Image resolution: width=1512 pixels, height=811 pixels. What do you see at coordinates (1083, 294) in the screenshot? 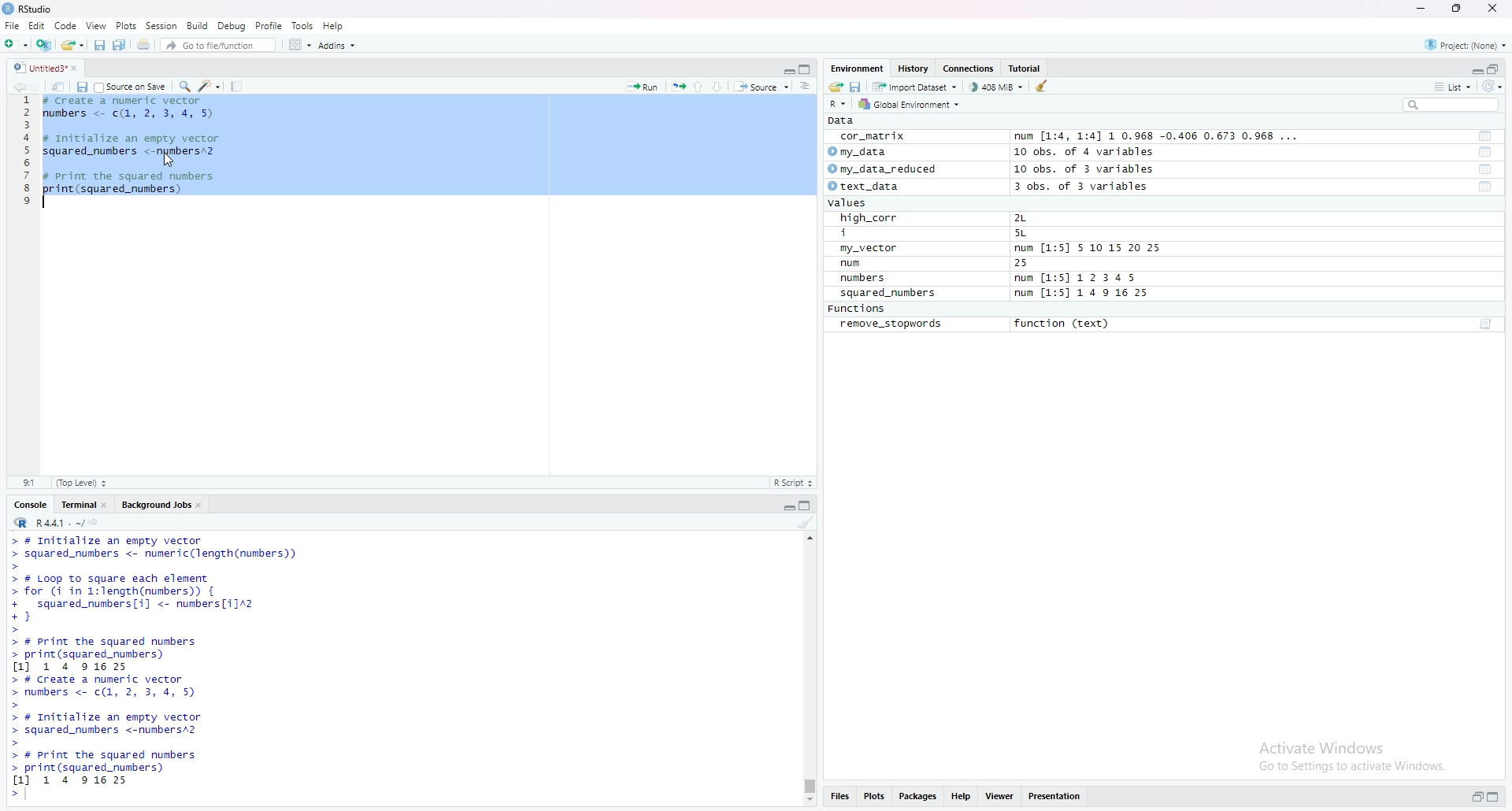
I see `num [1:5] 1 4 9 16 25` at bounding box center [1083, 294].